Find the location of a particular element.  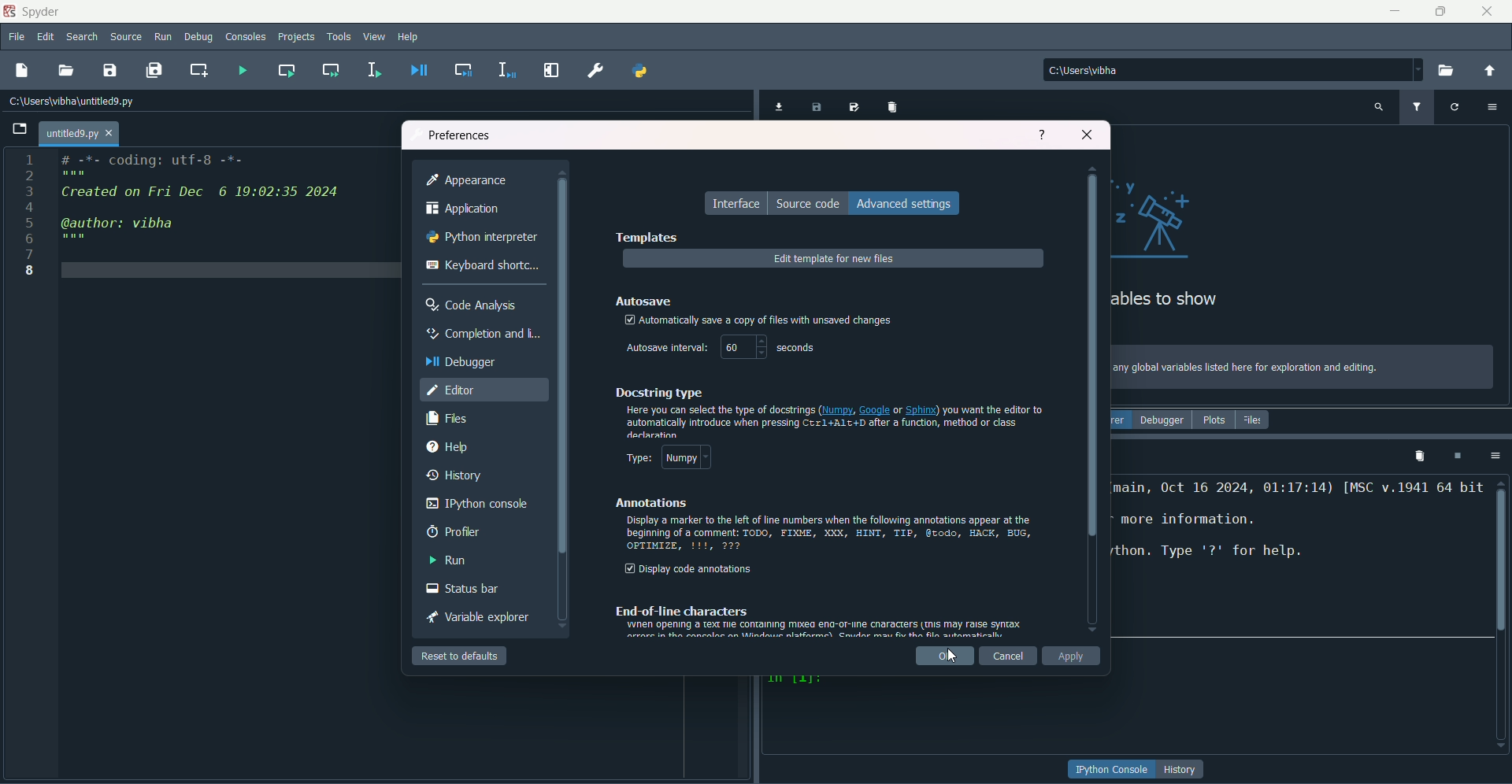

autosave is located at coordinates (647, 300).